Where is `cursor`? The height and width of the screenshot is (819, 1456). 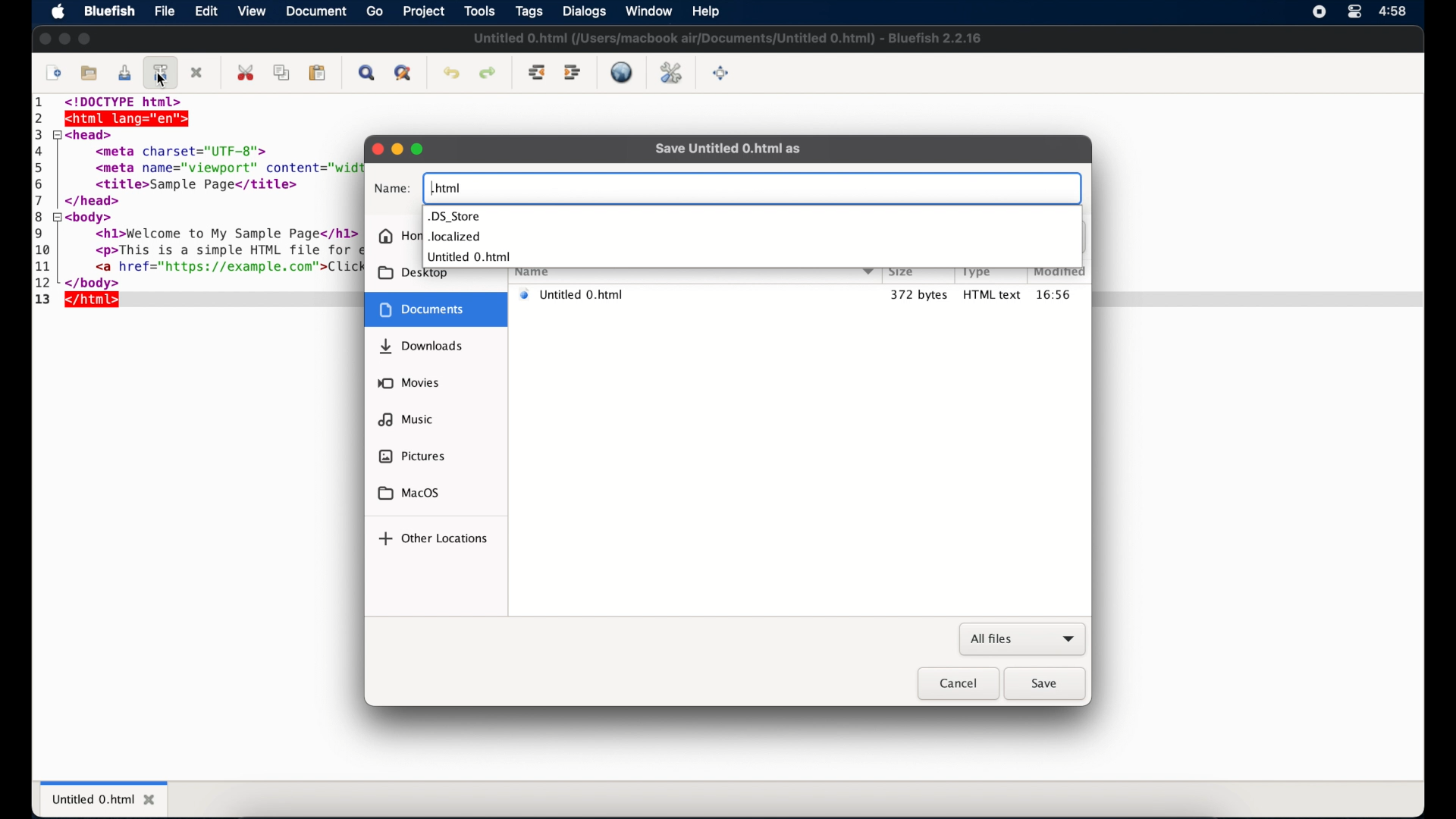
cursor is located at coordinates (162, 81).